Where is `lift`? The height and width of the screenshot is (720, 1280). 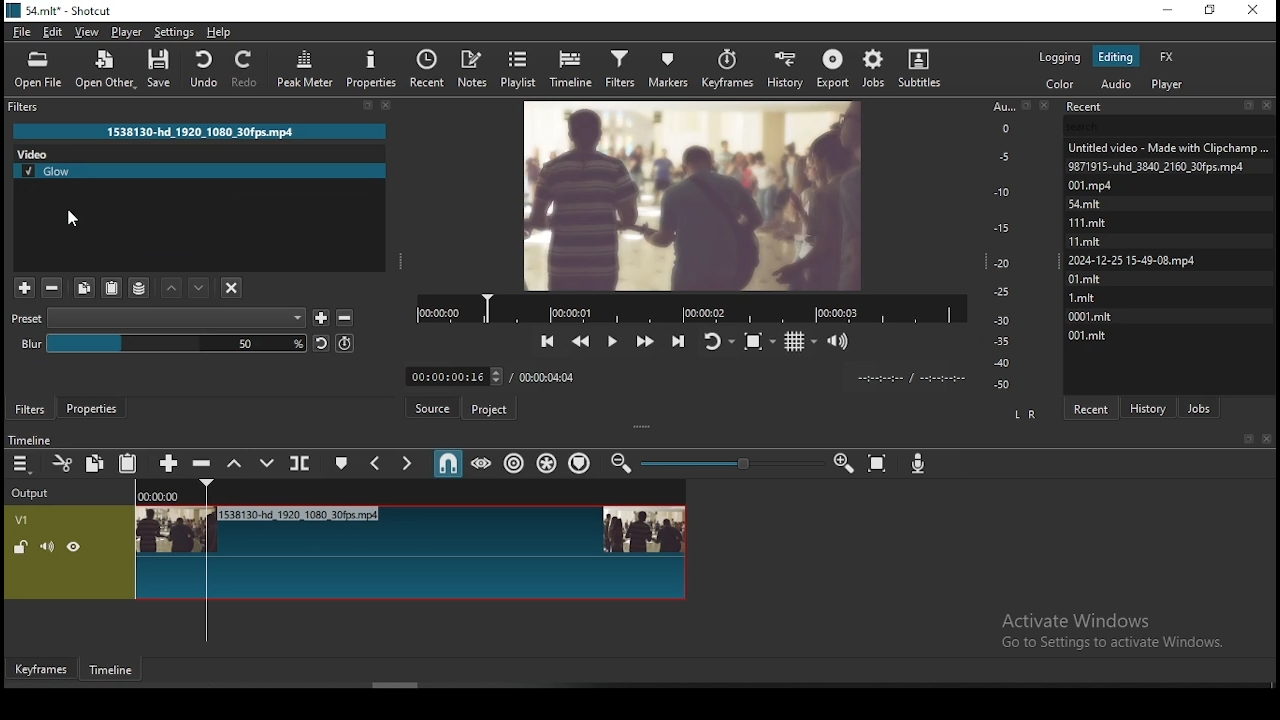 lift is located at coordinates (231, 463).